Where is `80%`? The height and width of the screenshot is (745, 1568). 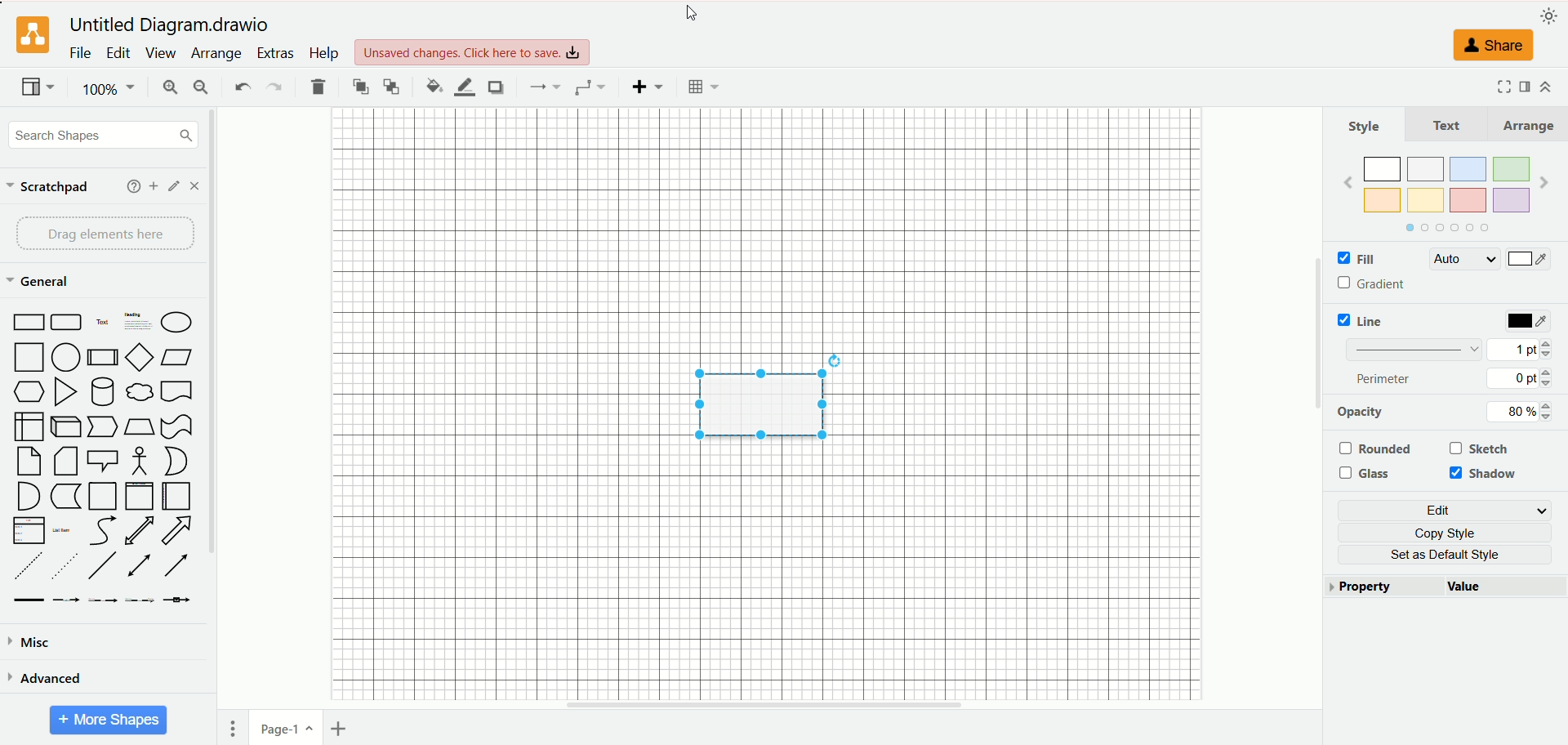 80% is located at coordinates (1516, 412).